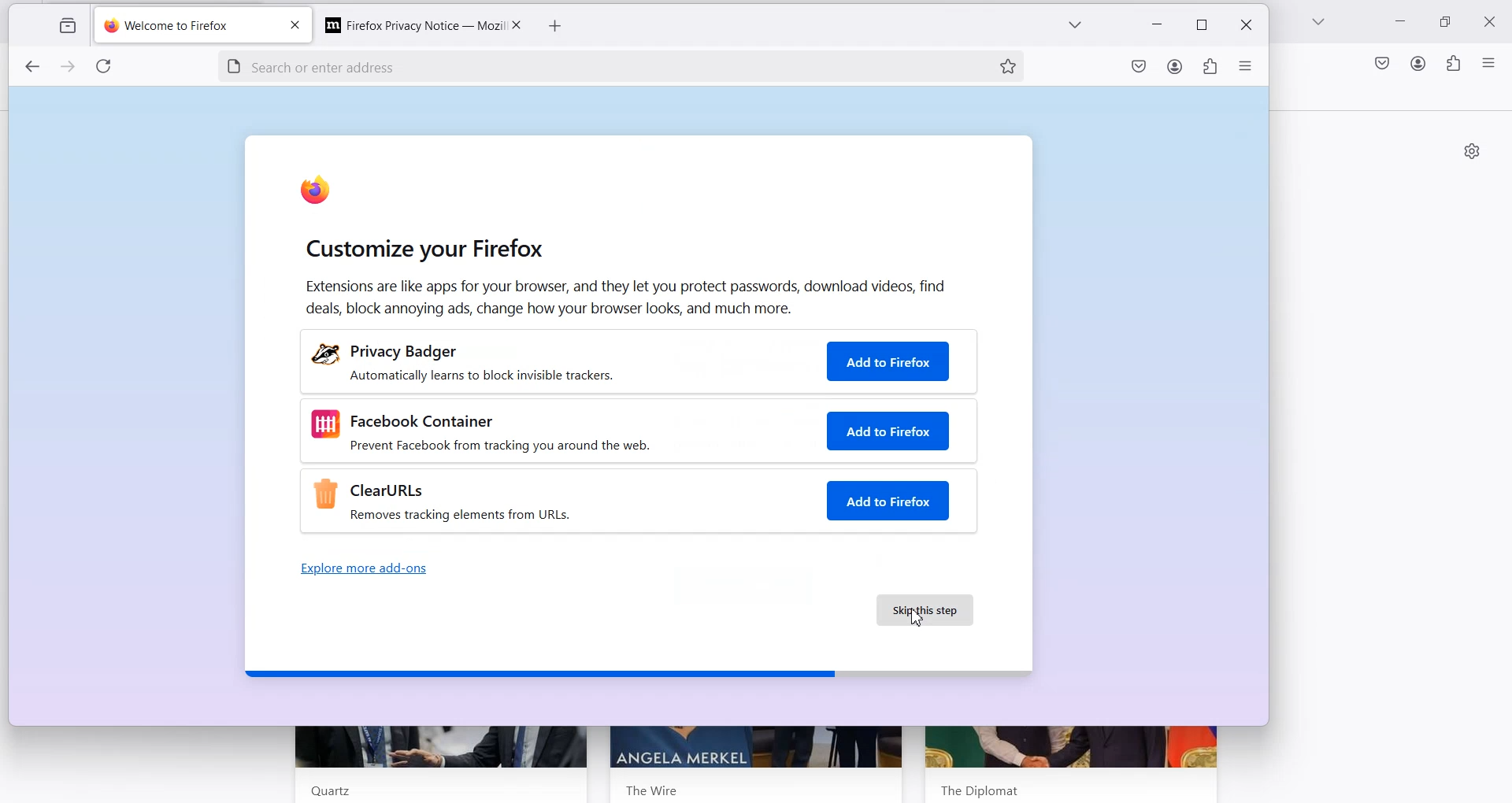 The width and height of the screenshot is (1512, 803). Describe the element at coordinates (317, 194) in the screenshot. I see `firefox logo` at that location.